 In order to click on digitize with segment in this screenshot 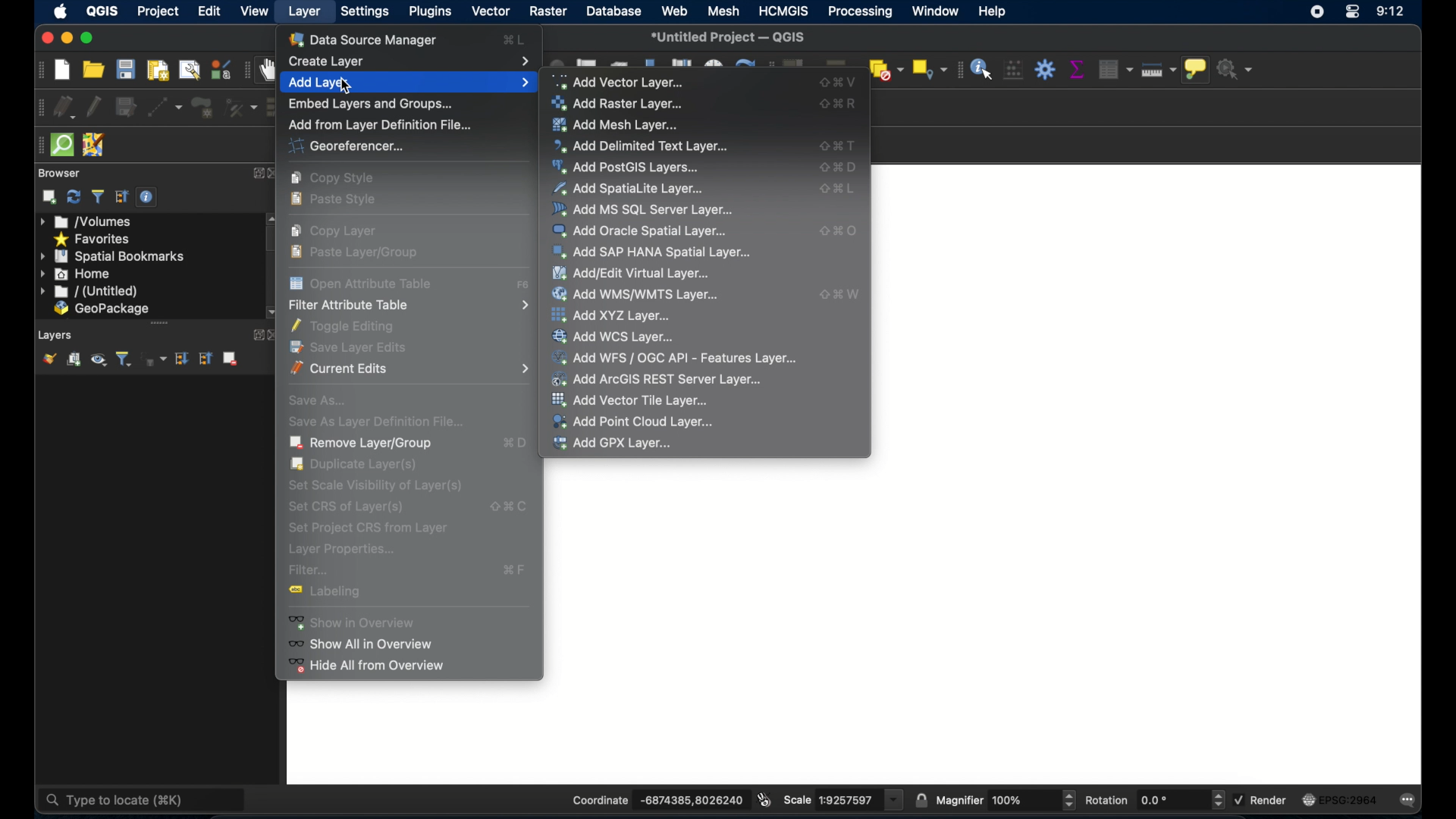, I will do `click(166, 106)`.